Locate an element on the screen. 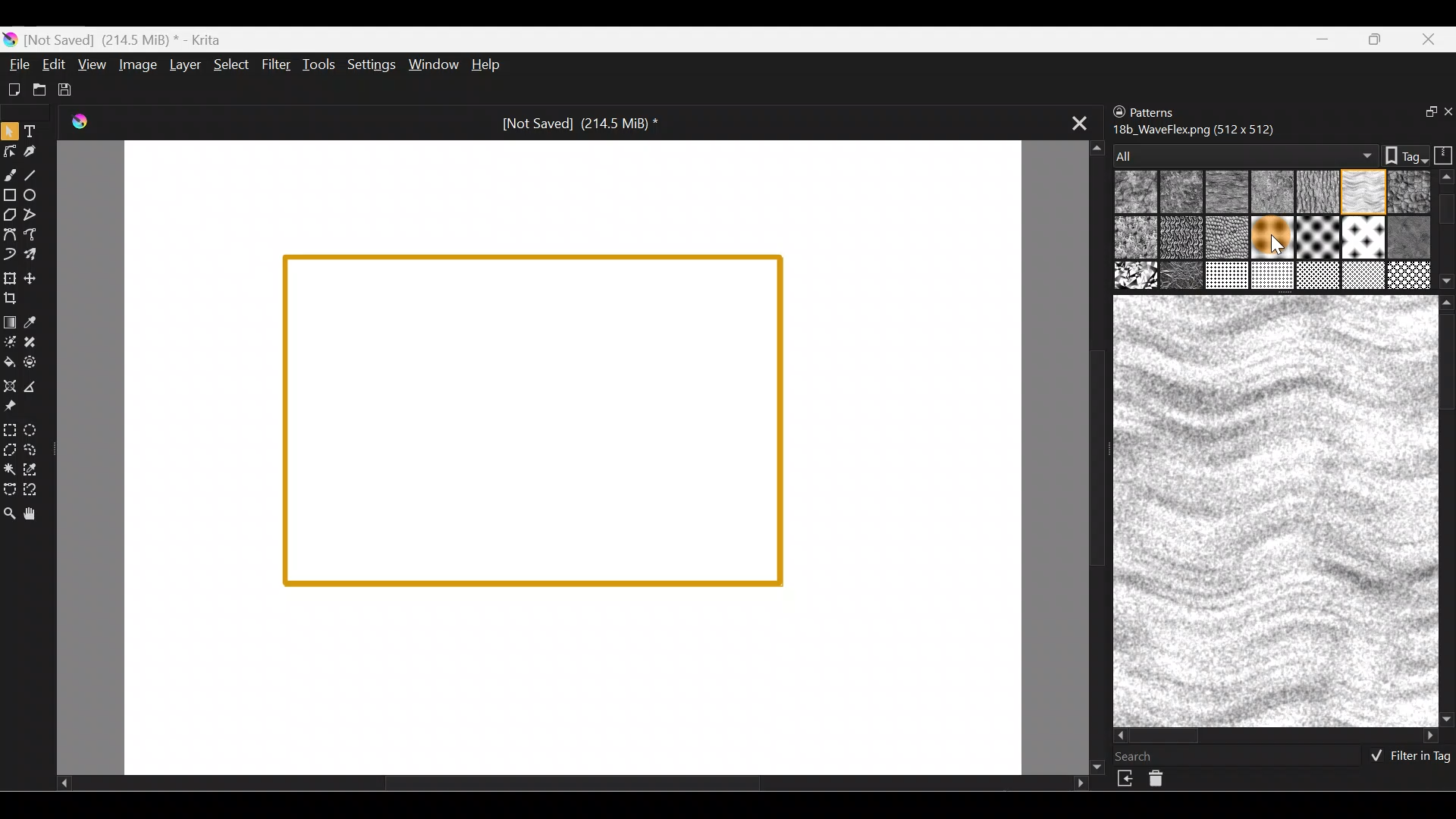 This screenshot has width=1456, height=819. 14 Texture_rock.png is located at coordinates (1137, 277).